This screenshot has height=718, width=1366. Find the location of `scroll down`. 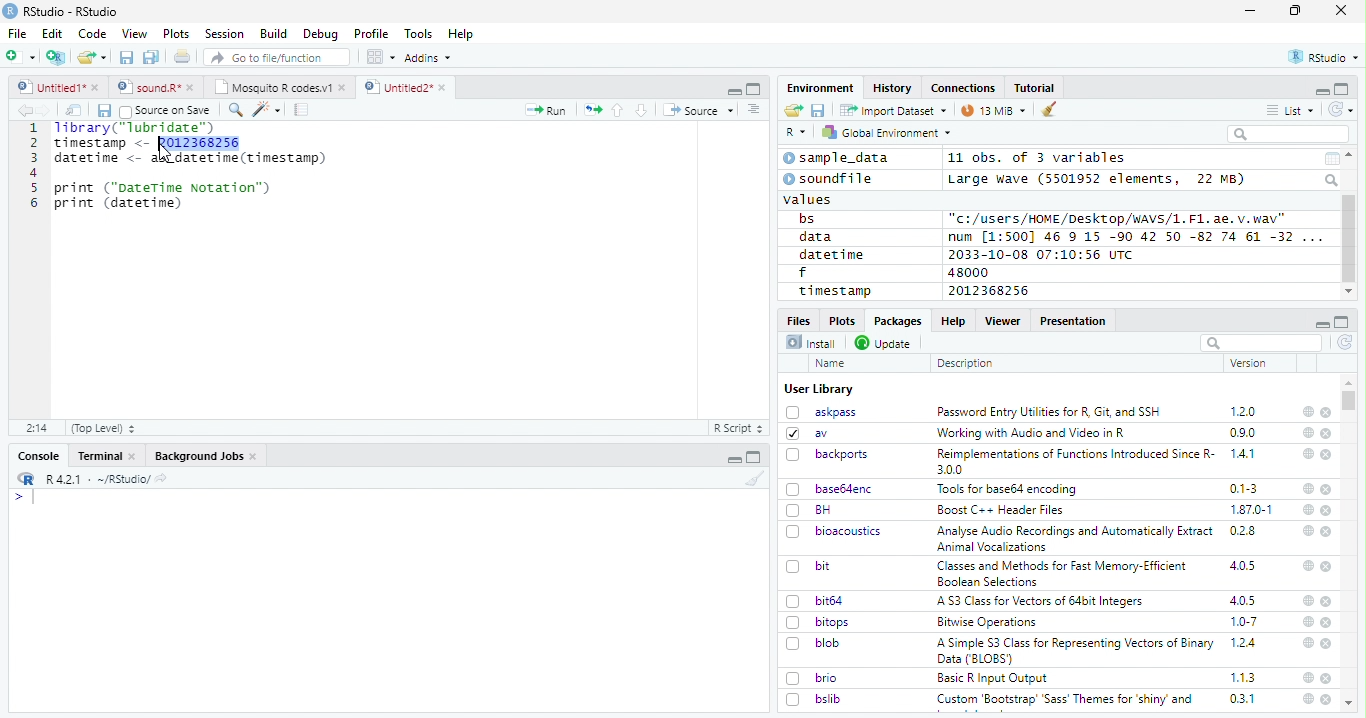

scroll down is located at coordinates (1348, 292).